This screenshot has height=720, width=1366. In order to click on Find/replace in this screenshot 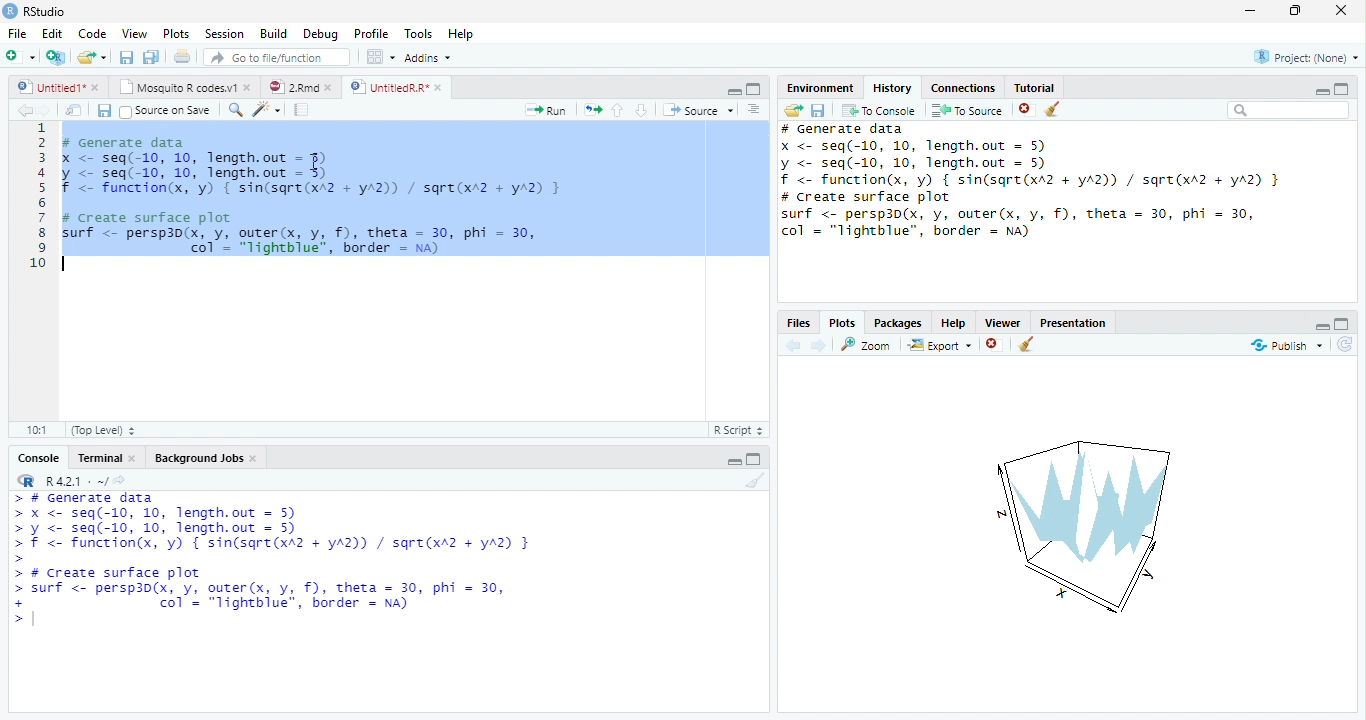, I will do `click(234, 110)`.